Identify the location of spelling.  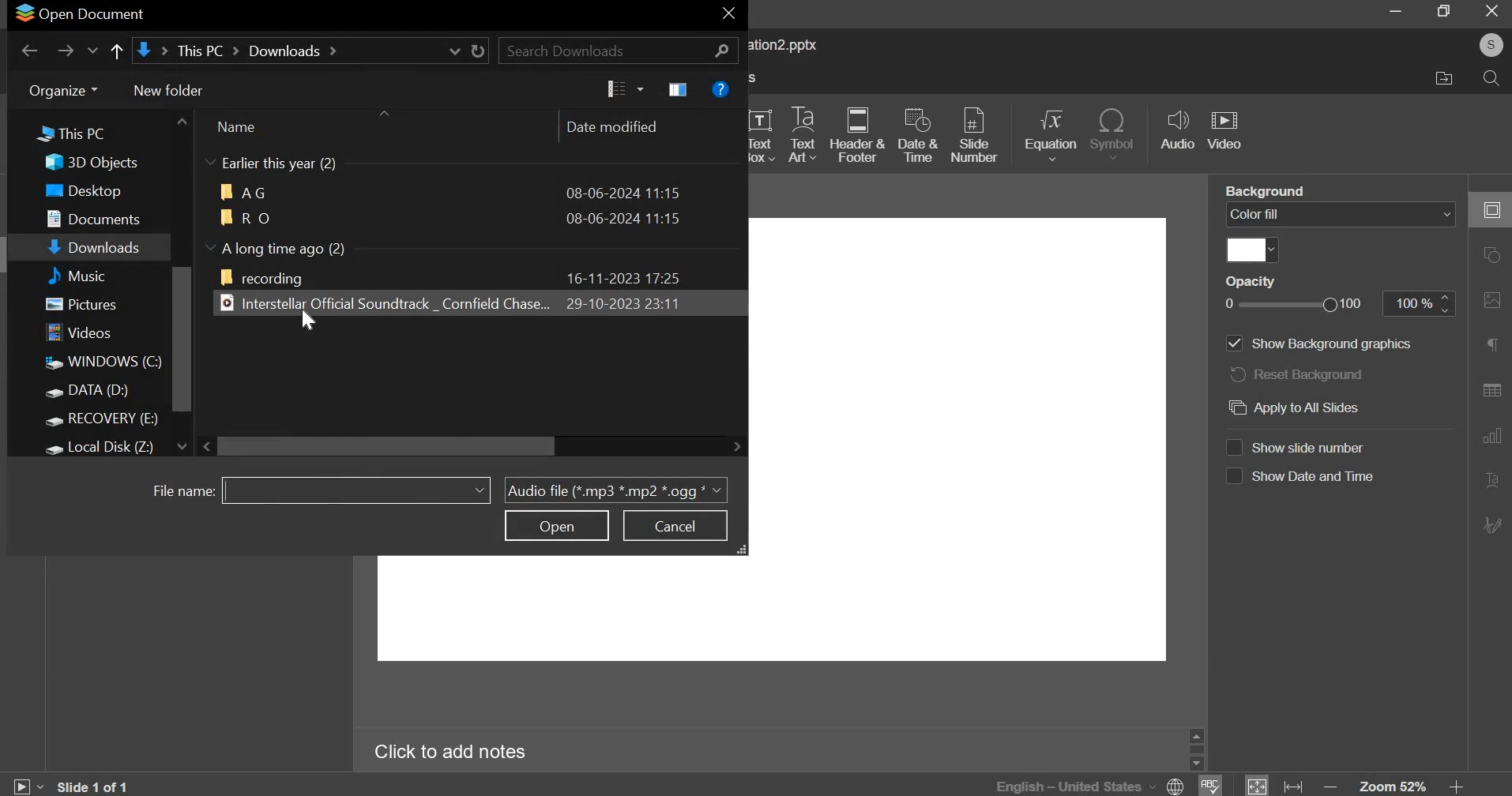
(1209, 785).